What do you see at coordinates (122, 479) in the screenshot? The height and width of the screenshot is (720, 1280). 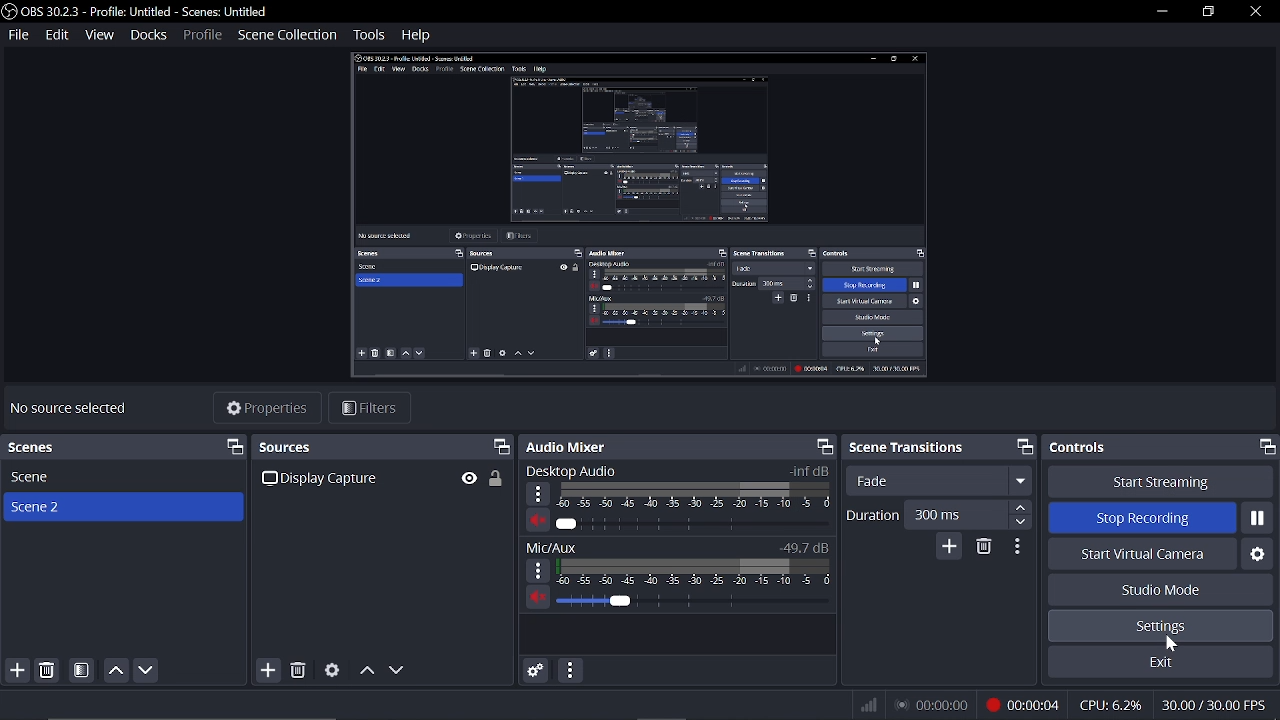 I see `scene ` at bounding box center [122, 479].